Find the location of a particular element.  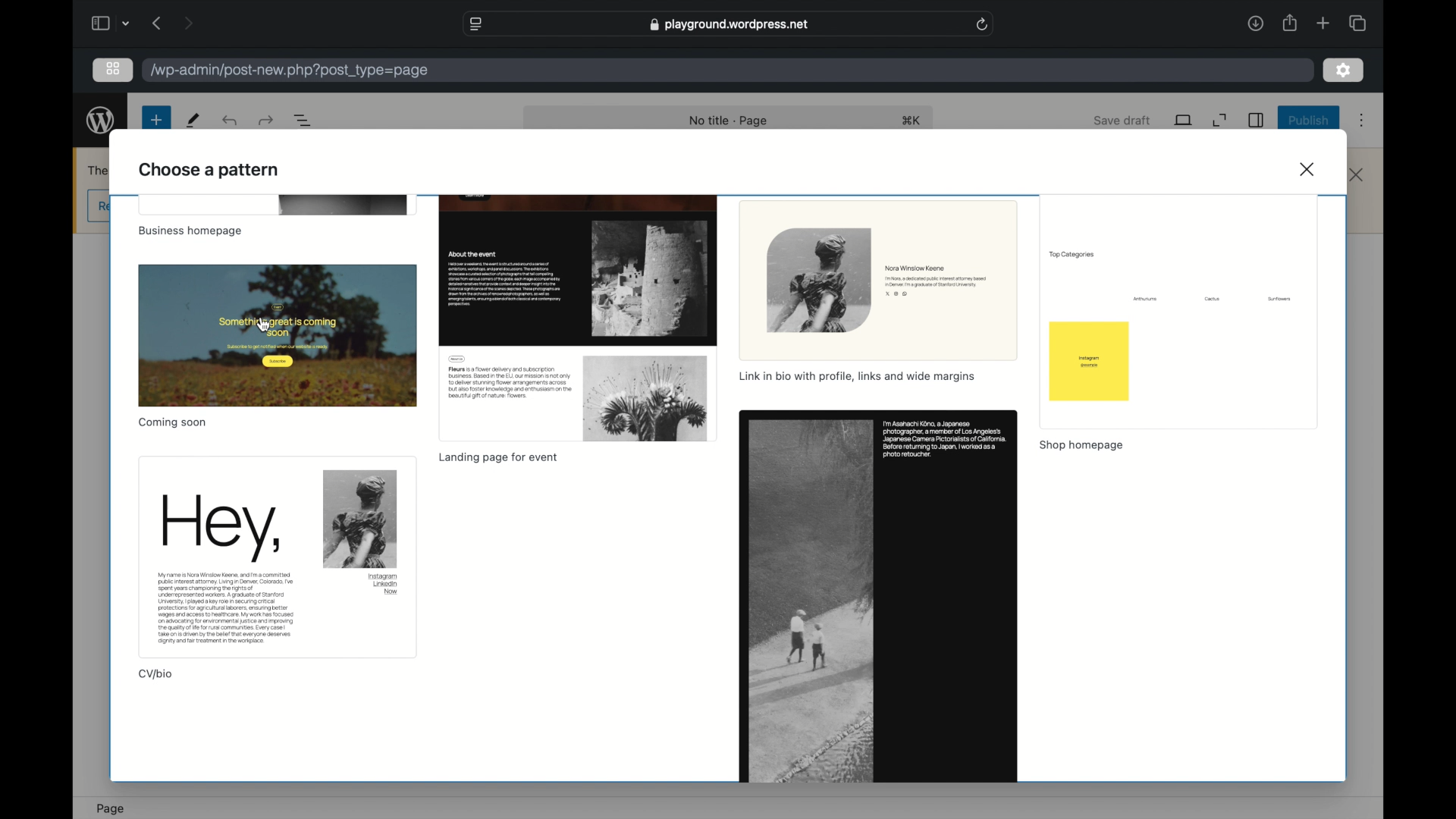

show tab overview is located at coordinates (1357, 23).